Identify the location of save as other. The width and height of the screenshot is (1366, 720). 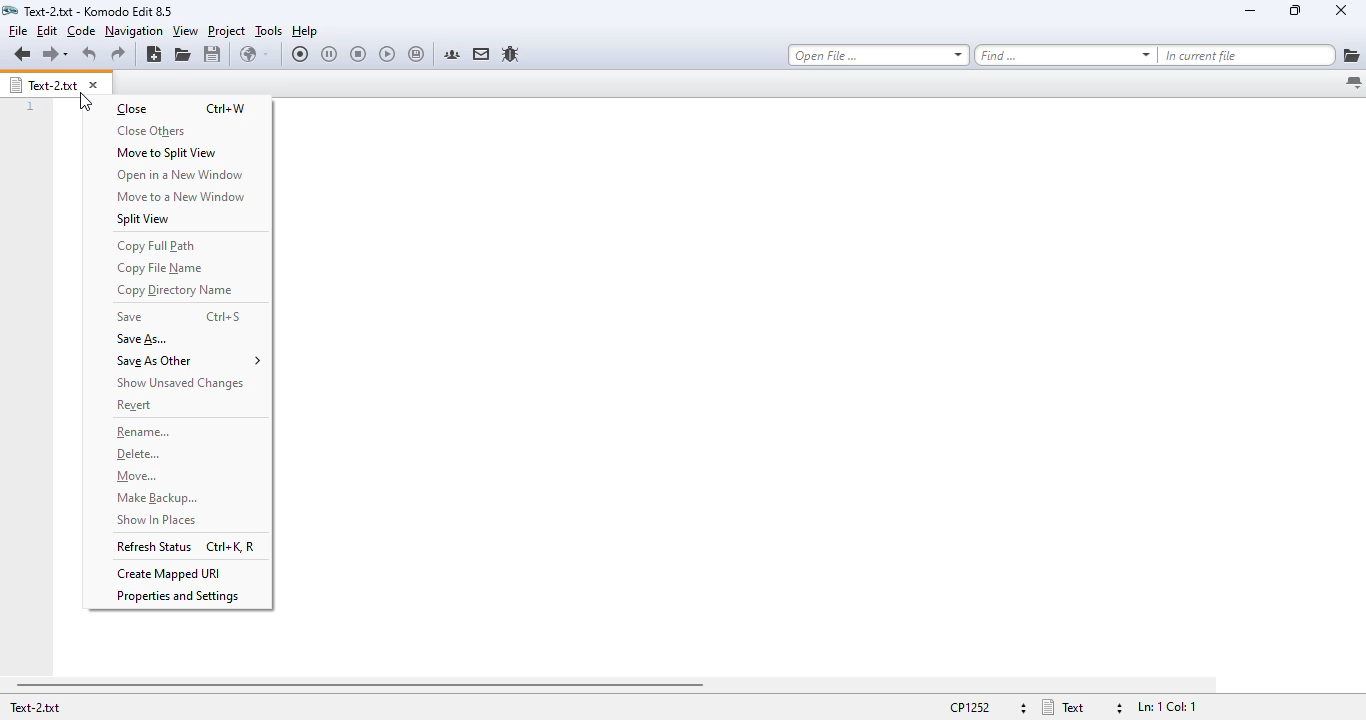
(189, 361).